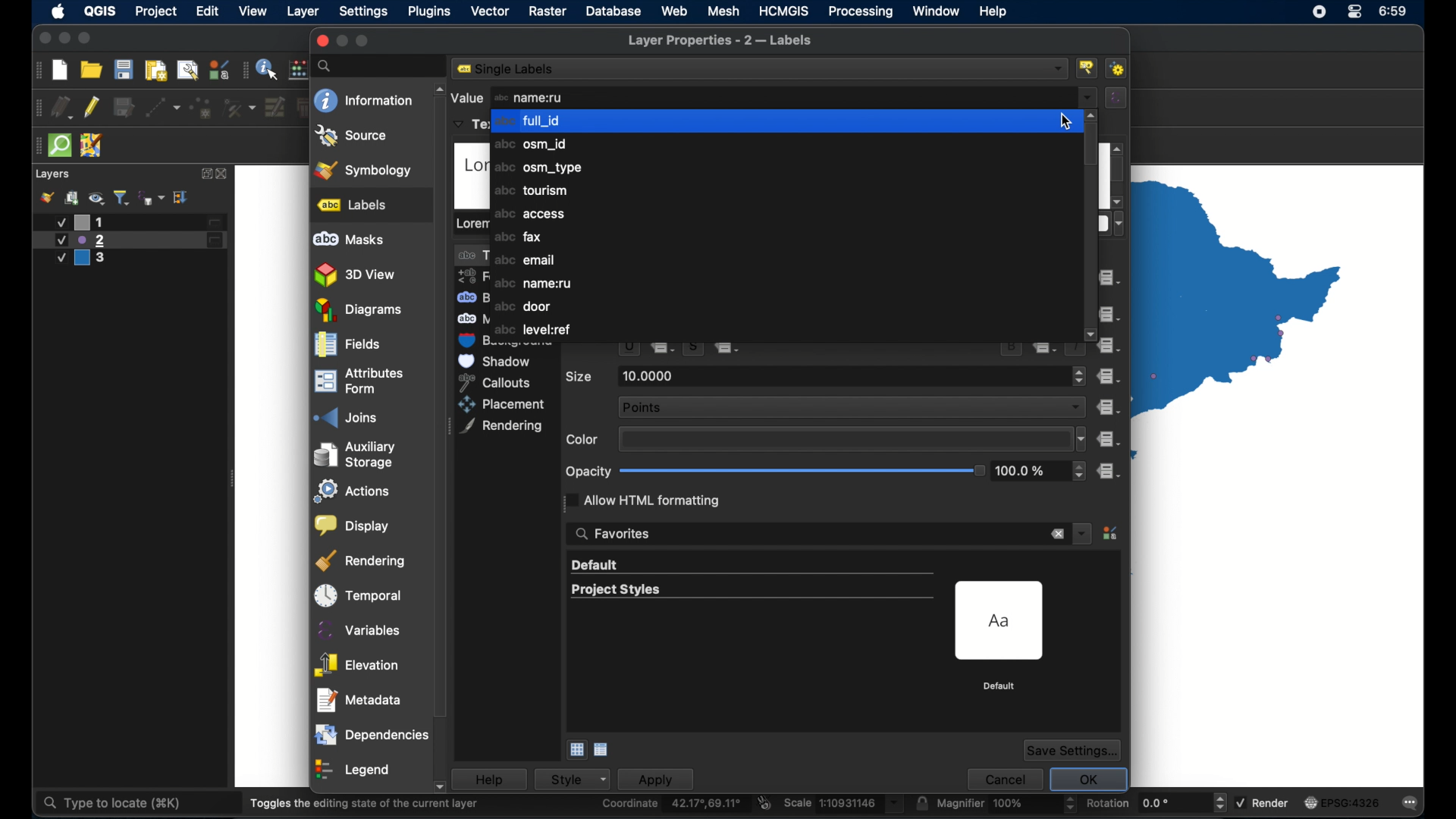 The image size is (1456, 819). I want to click on allow html formatting, so click(645, 500).